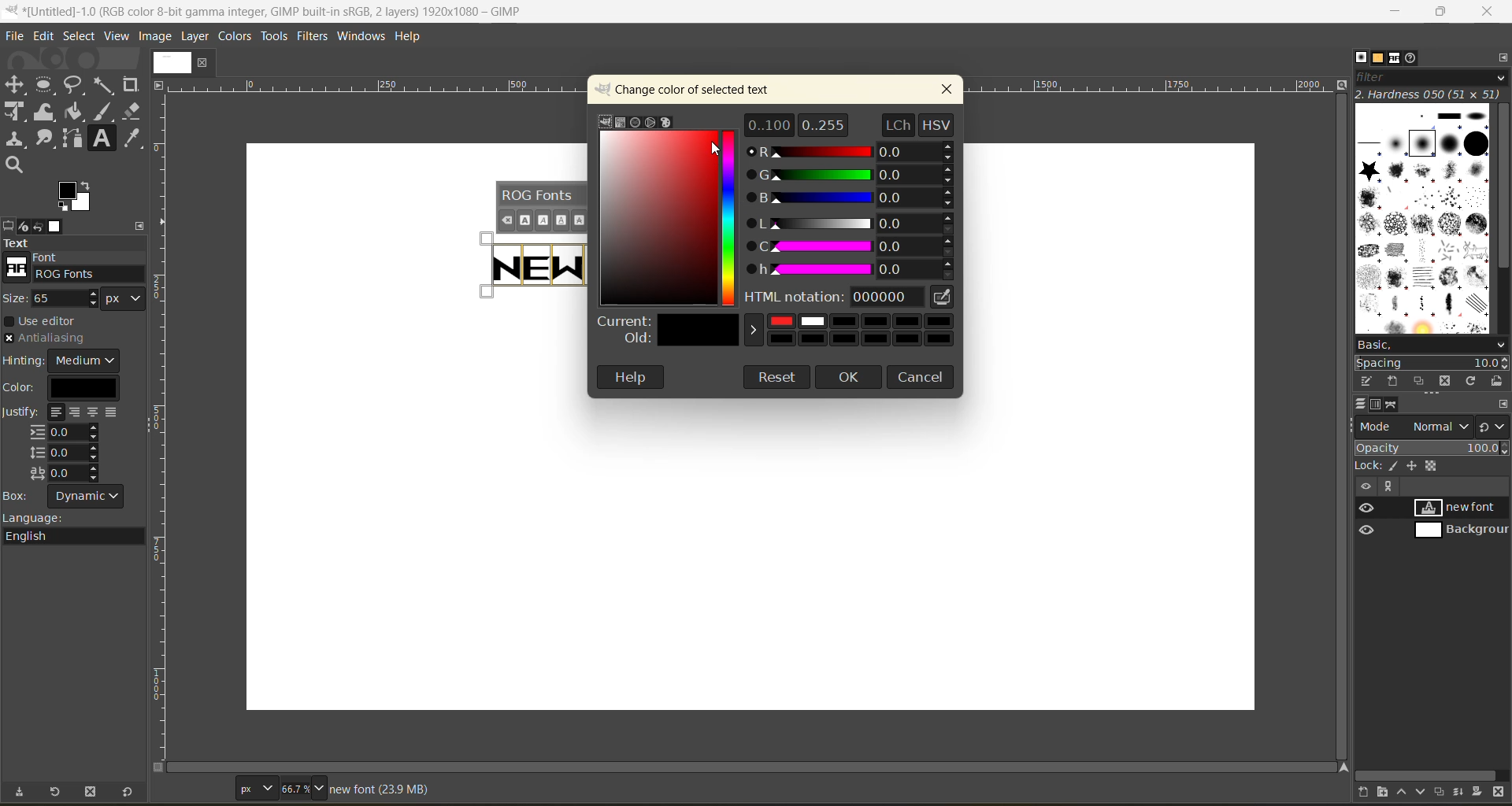 This screenshot has height=806, width=1512. Describe the element at coordinates (80, 35) in the screenshot. I see `select` at that location.